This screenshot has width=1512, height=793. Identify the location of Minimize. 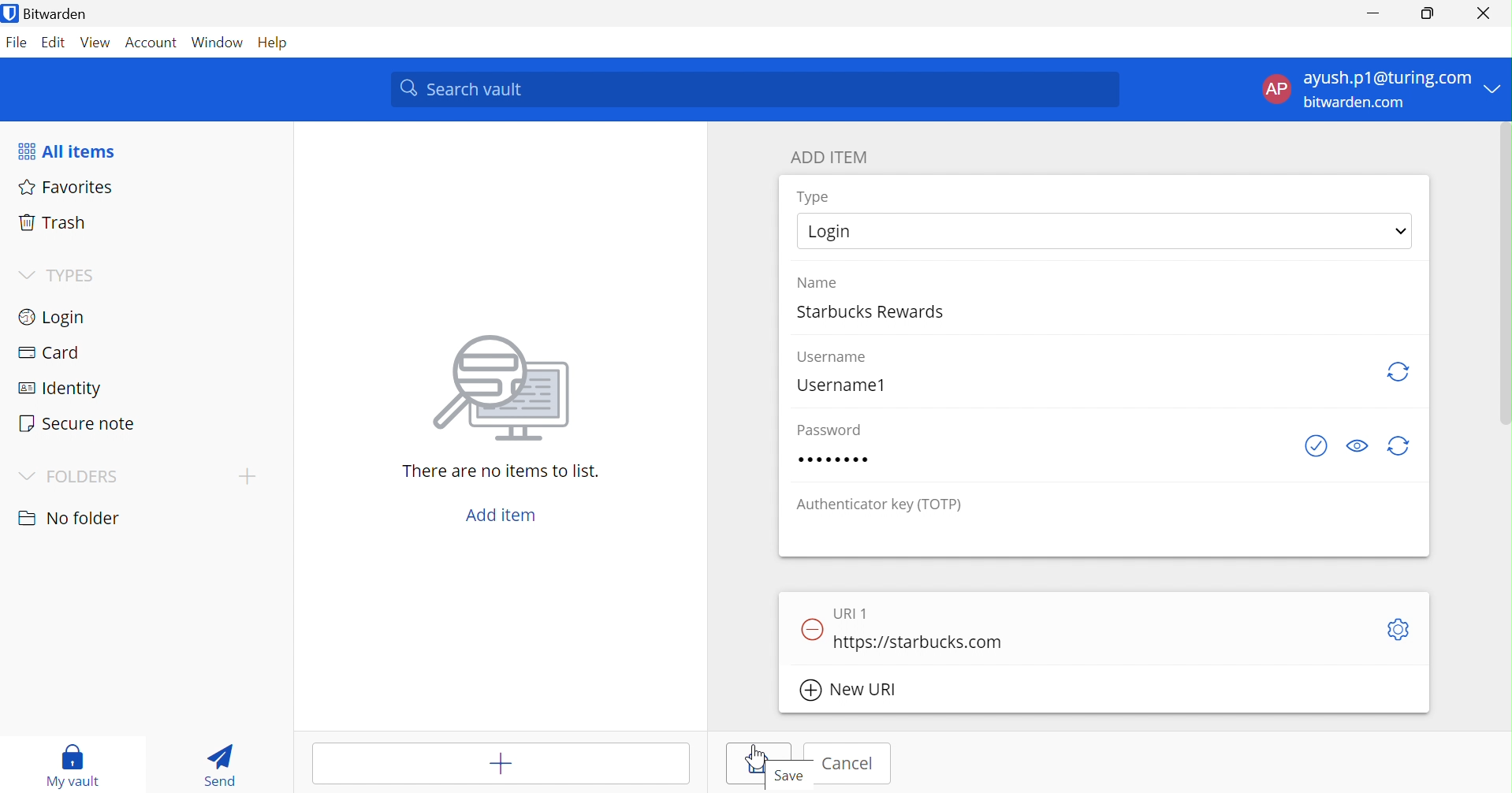
(1375, 9).